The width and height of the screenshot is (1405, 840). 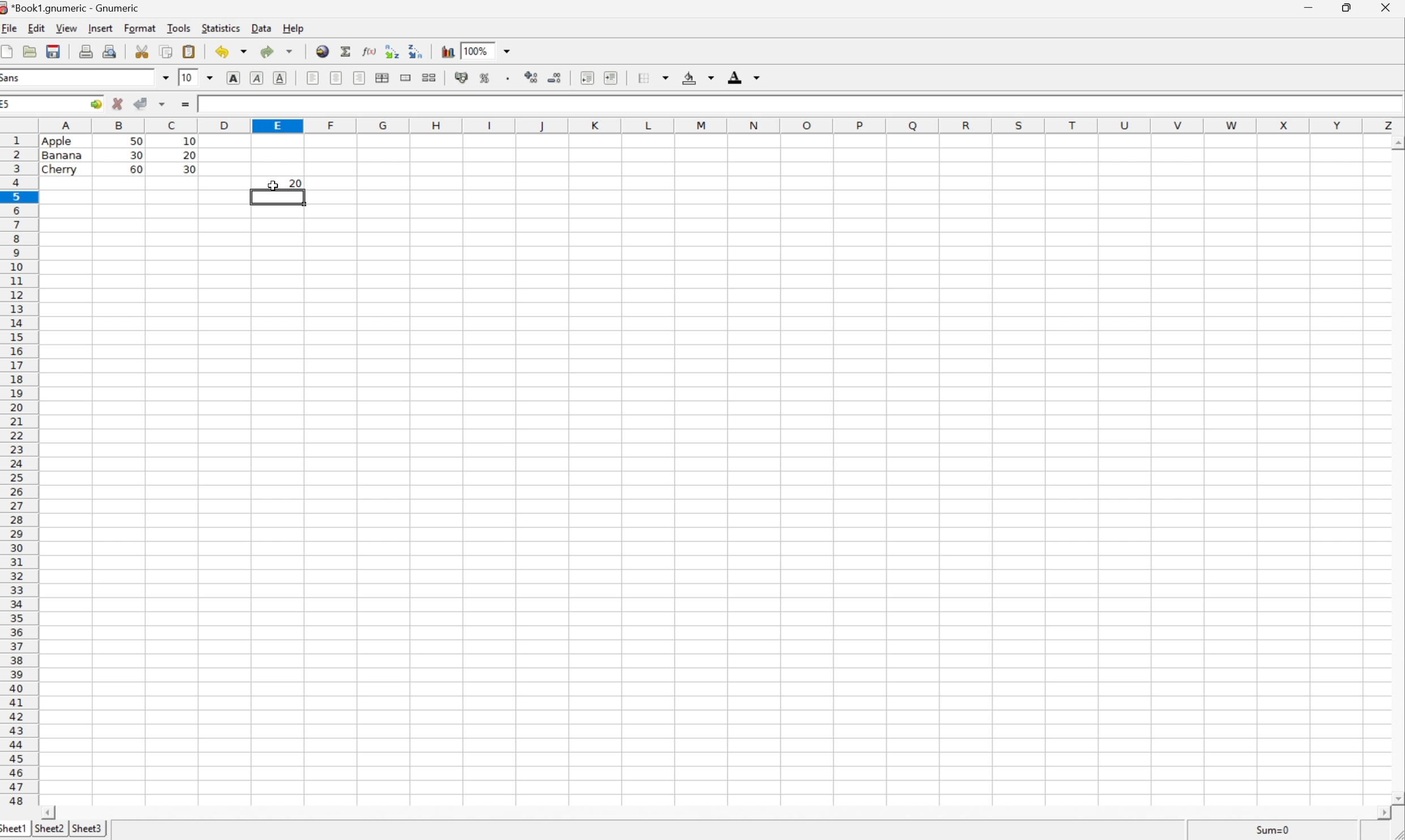 What do you see at coordinates (89, 829) in the screenshot?
I see `sheet3` at bounding box center [89, 829].